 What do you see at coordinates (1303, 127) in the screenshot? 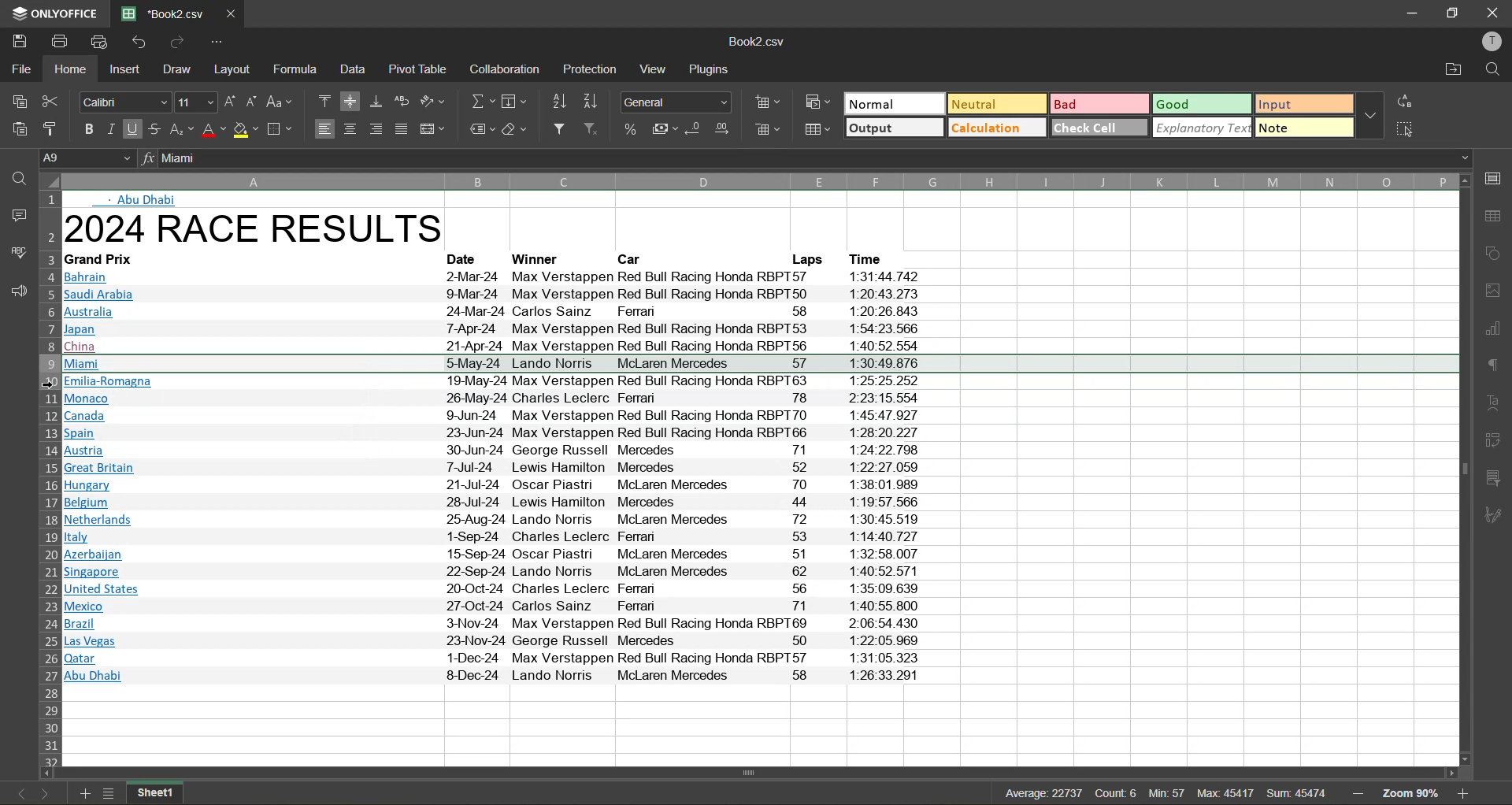
I see `note` at bounding box center [1303, 127].